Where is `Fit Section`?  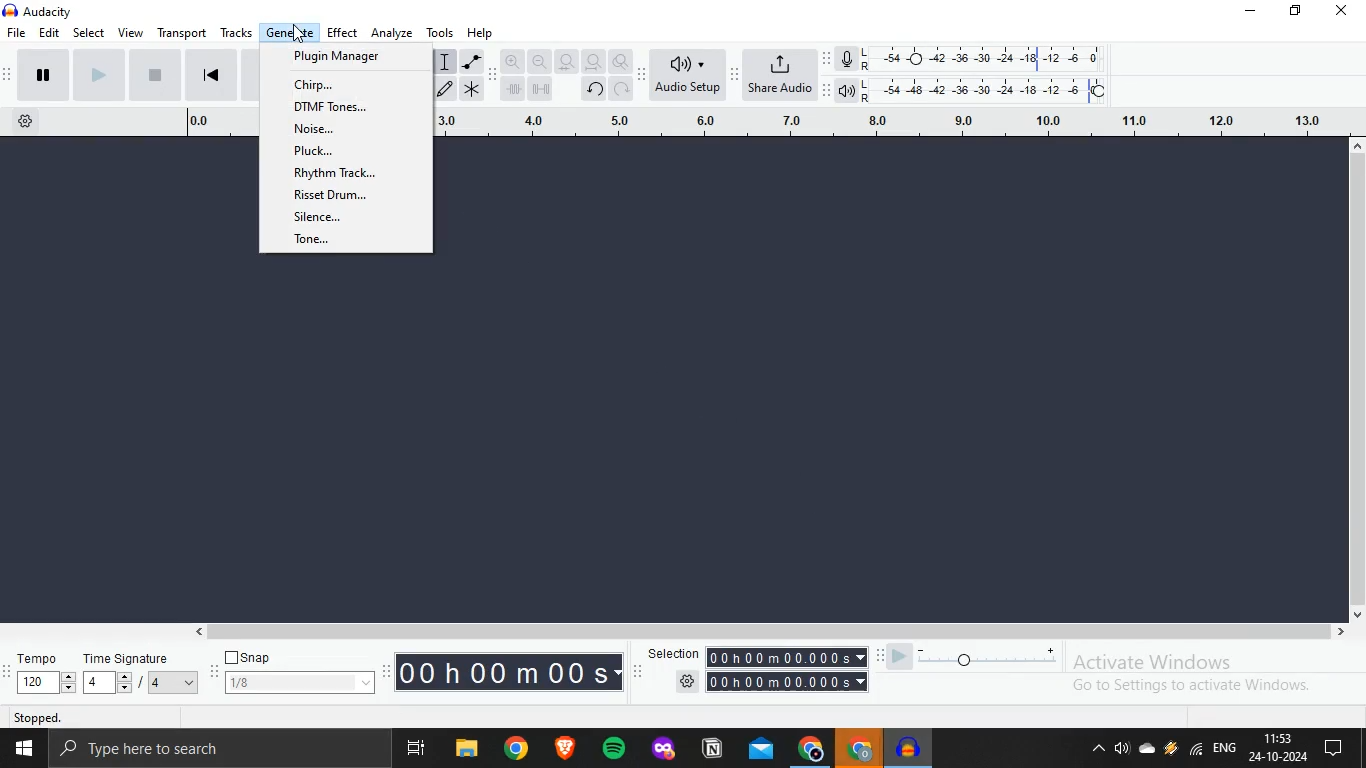 Fit Section is located at coordinates (567, 62).